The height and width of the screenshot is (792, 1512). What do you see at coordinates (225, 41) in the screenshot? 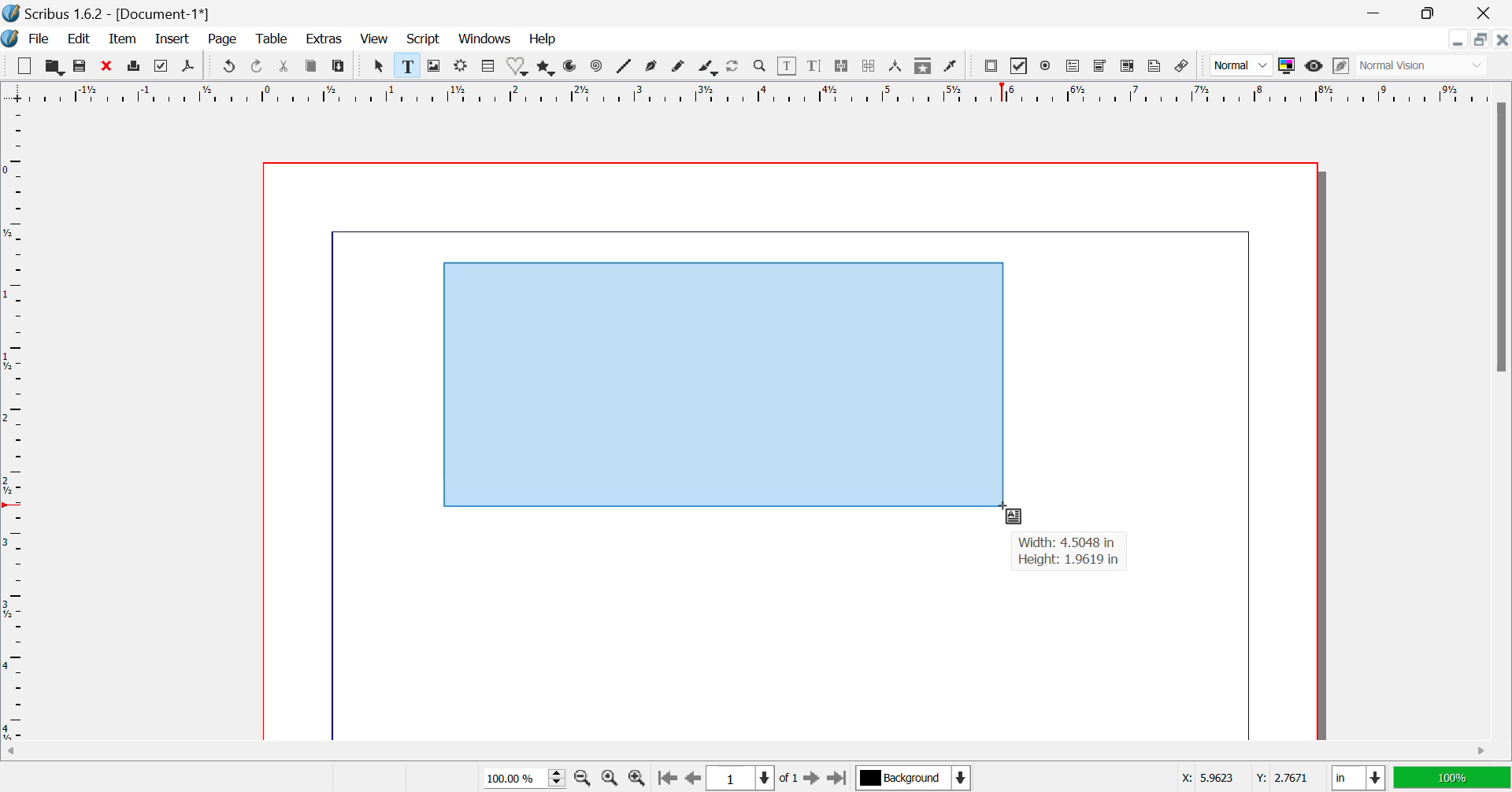
I see `Page` at bounding box center [225, 41].